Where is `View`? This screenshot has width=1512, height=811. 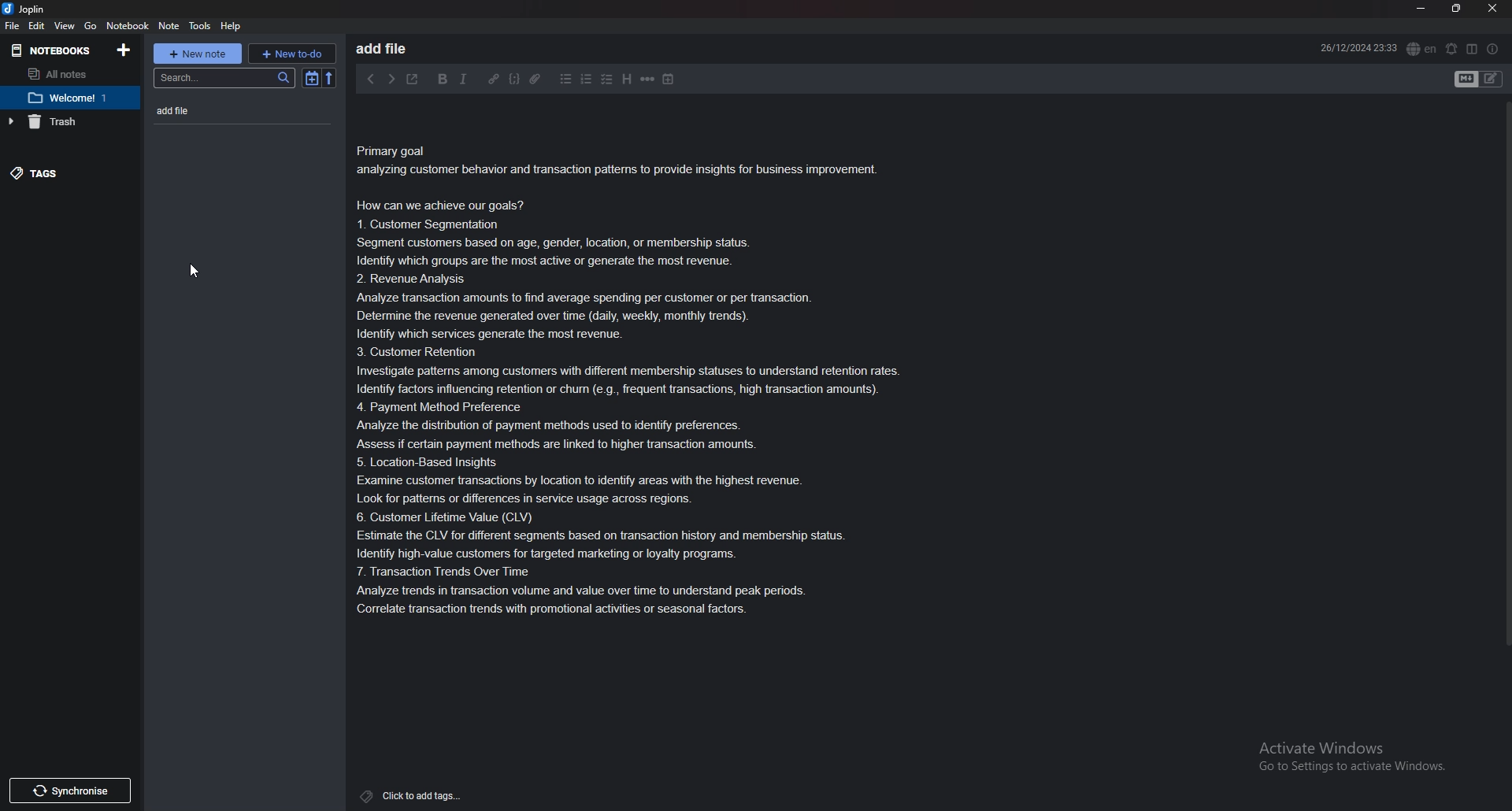 View is located at coordinates (66, 27).